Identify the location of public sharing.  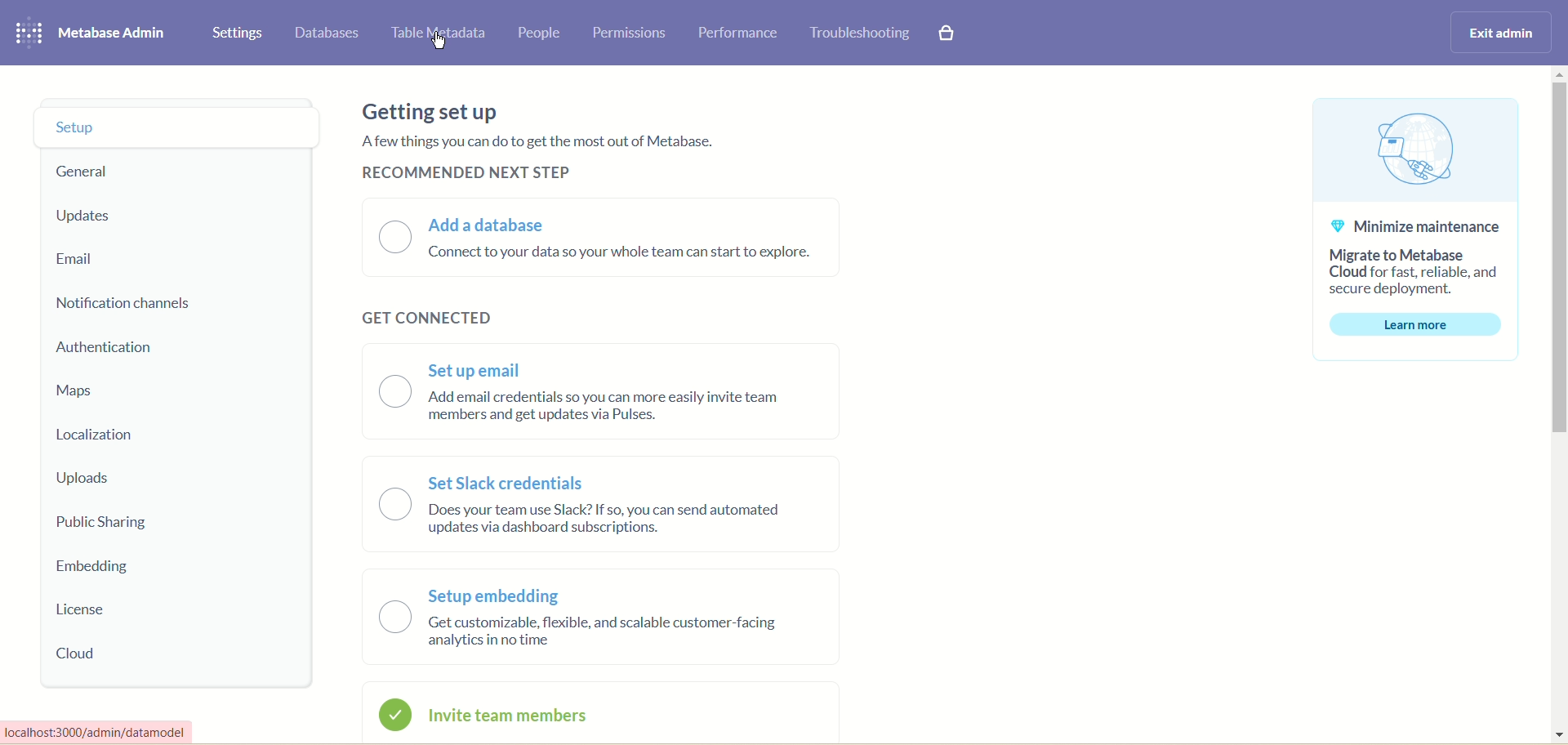
(110, 524).